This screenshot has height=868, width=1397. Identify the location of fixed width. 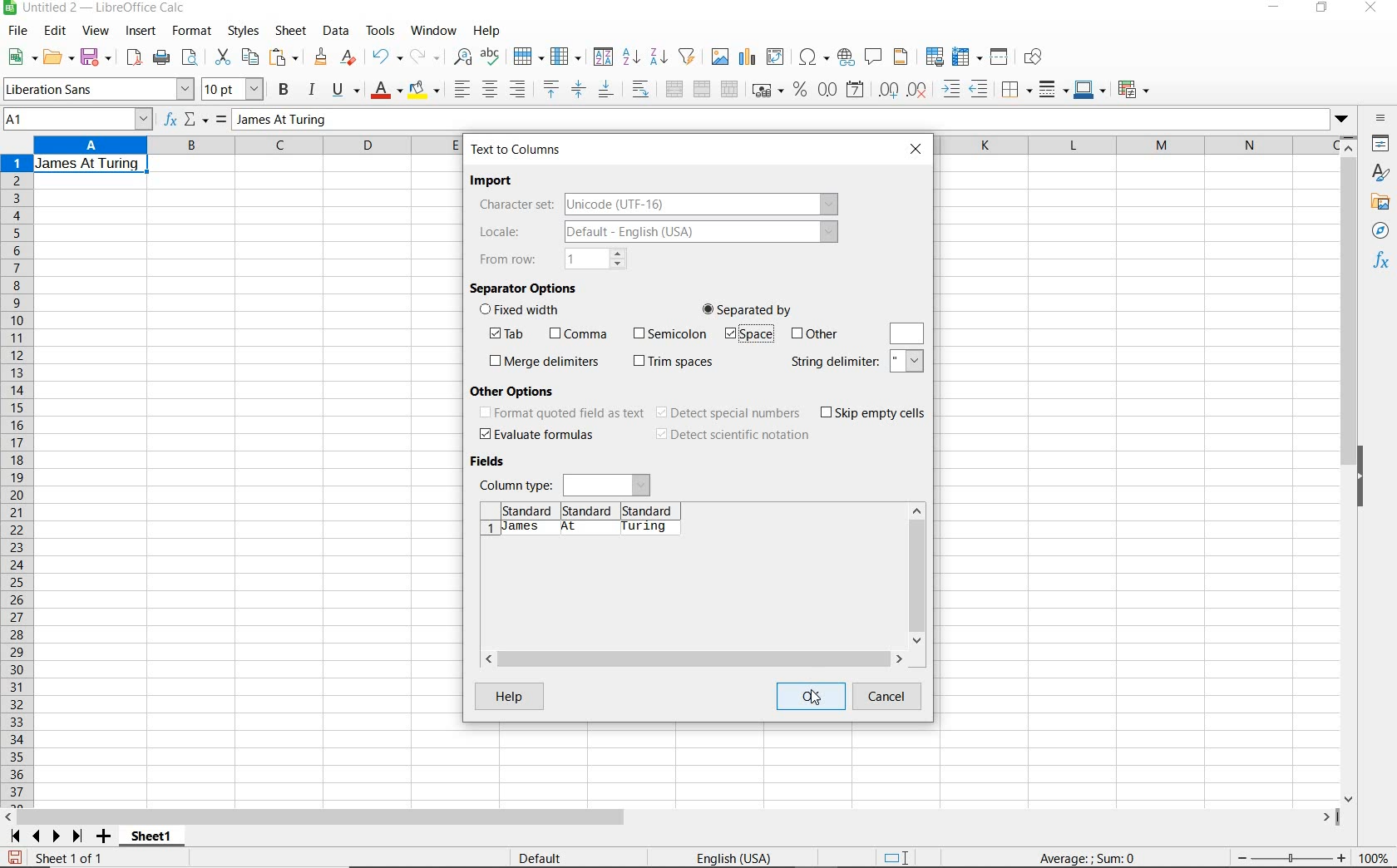
(525, 311).